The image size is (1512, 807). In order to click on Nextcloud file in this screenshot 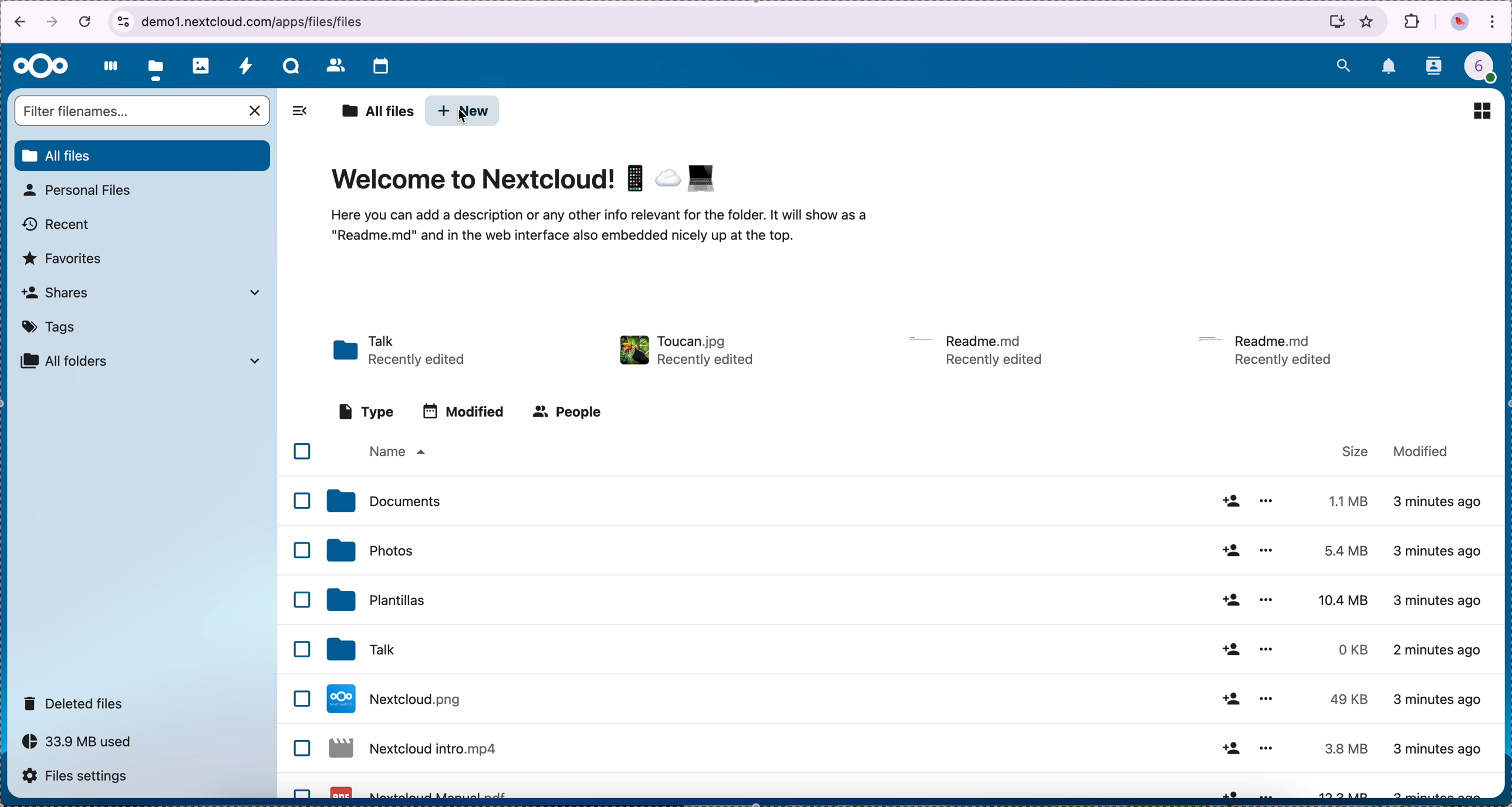, I will do `click(415, 752)`.